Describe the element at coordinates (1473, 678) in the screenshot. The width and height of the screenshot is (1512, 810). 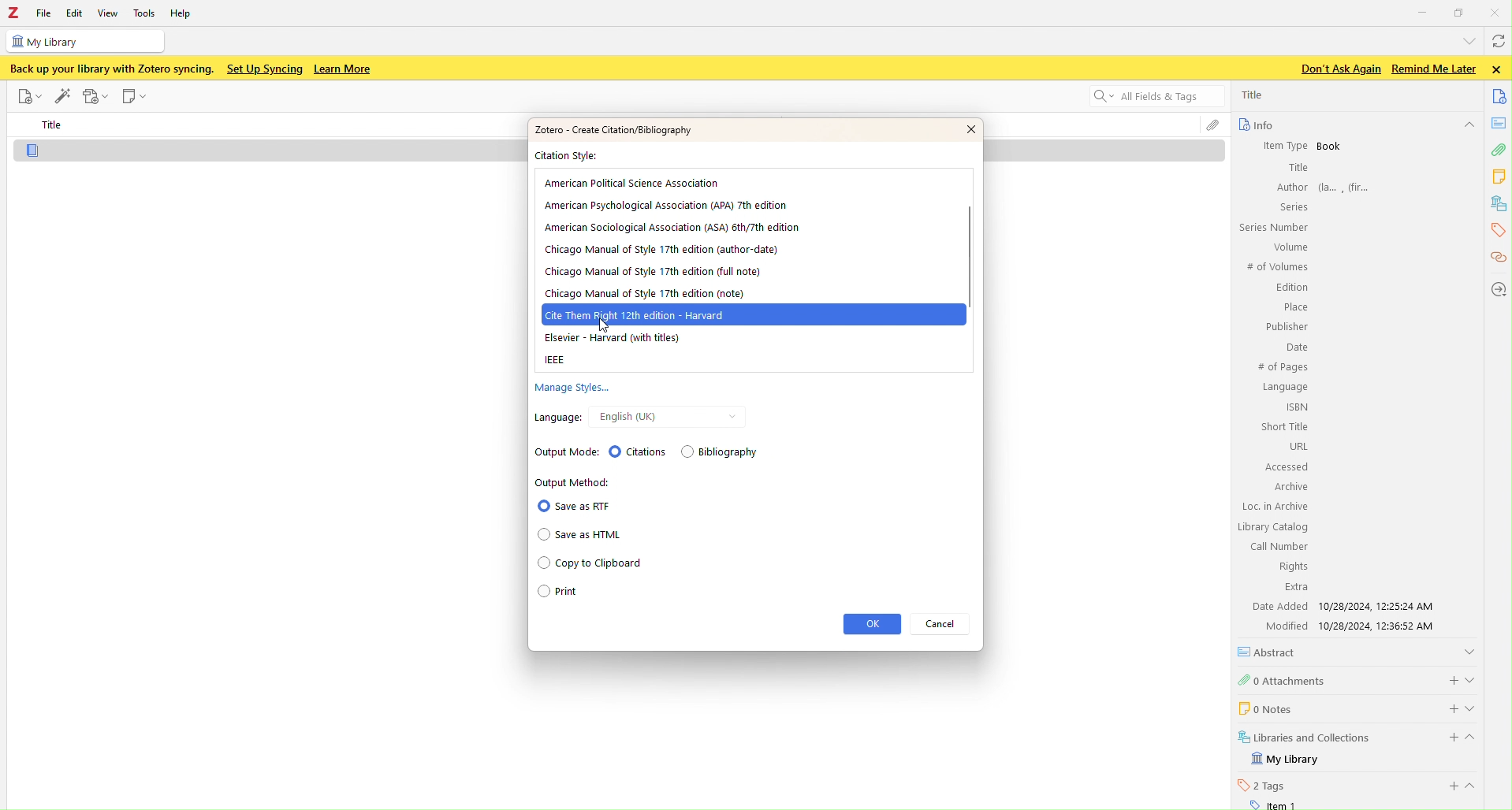
I see `show` at that location.